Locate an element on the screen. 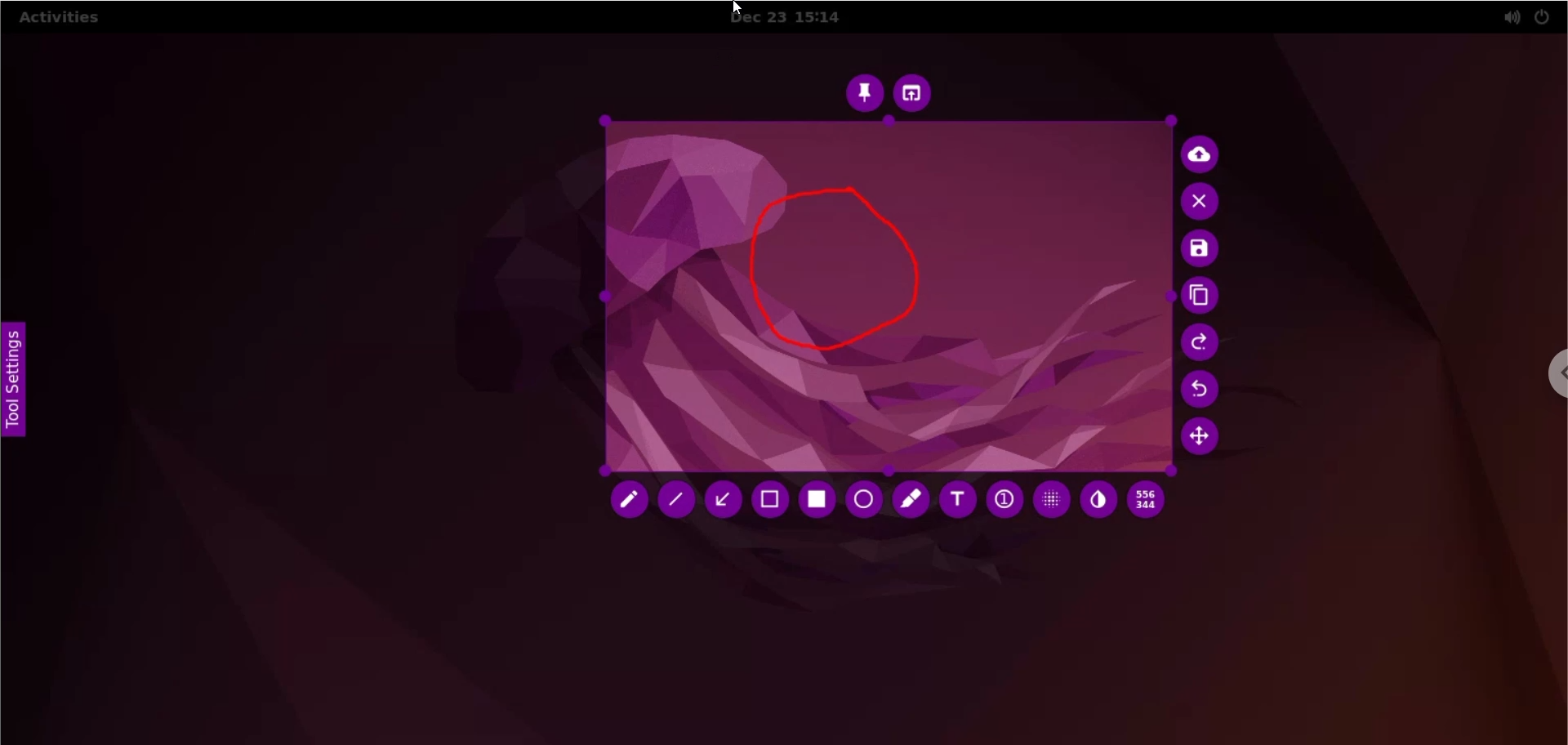 Image resolution: width=1568 pixels, height=745 pixels. cursor is located at coordinates (635, 509).